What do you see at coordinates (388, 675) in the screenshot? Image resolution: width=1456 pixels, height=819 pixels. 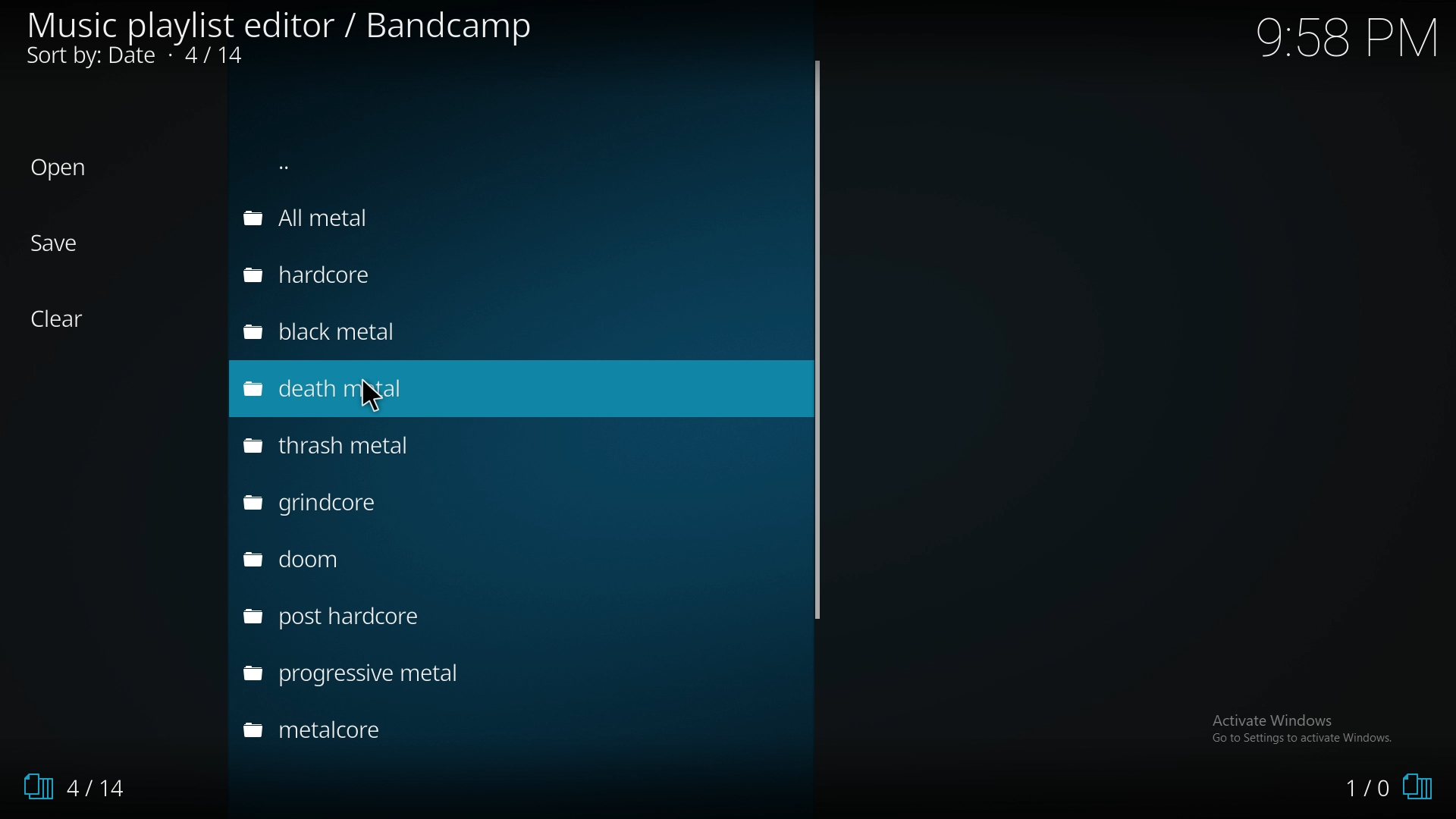 I see `music genre` at bounding box center [388, 675].